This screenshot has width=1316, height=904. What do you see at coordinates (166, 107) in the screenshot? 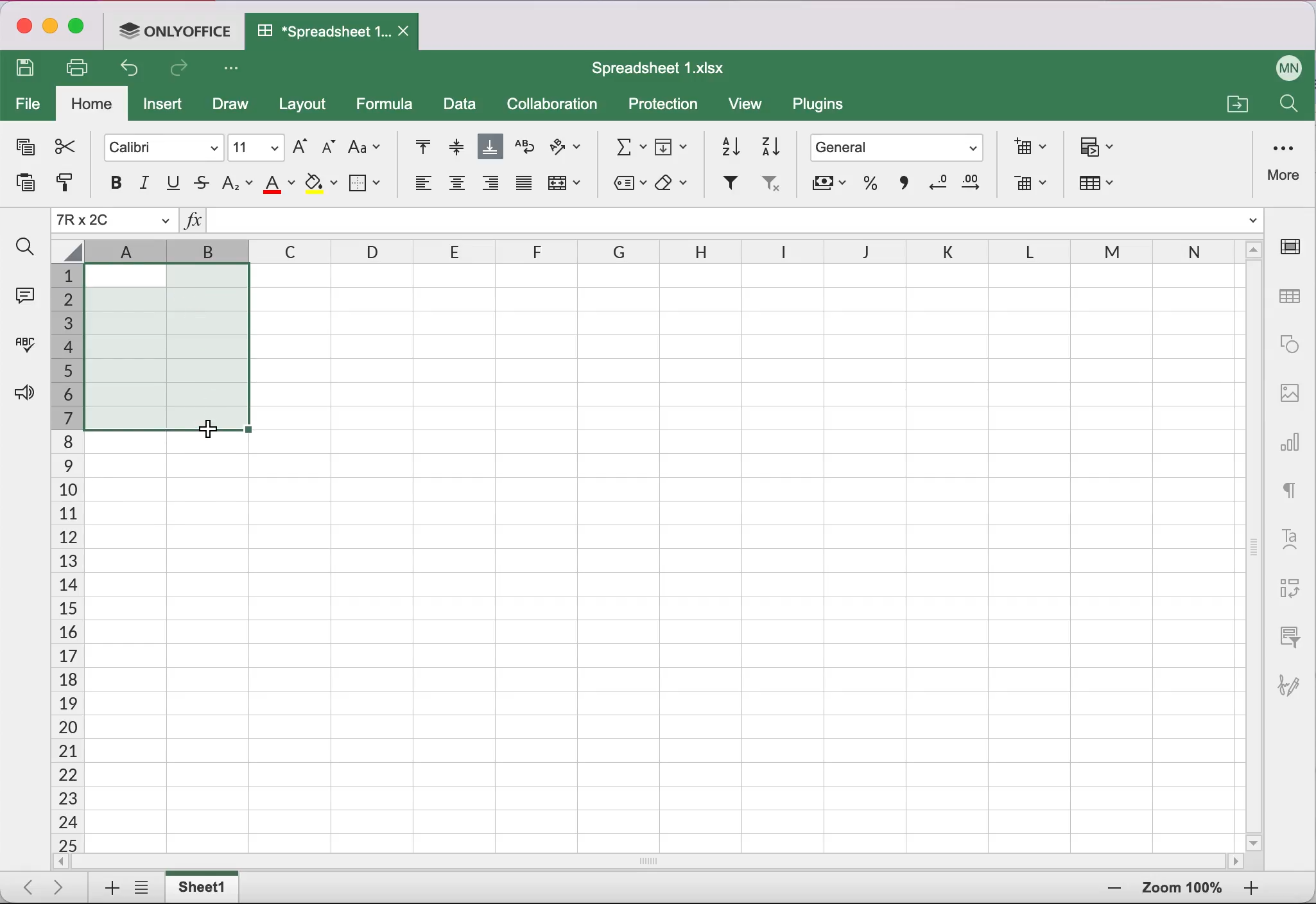
I see `insert` at bounding box center [166, 107].